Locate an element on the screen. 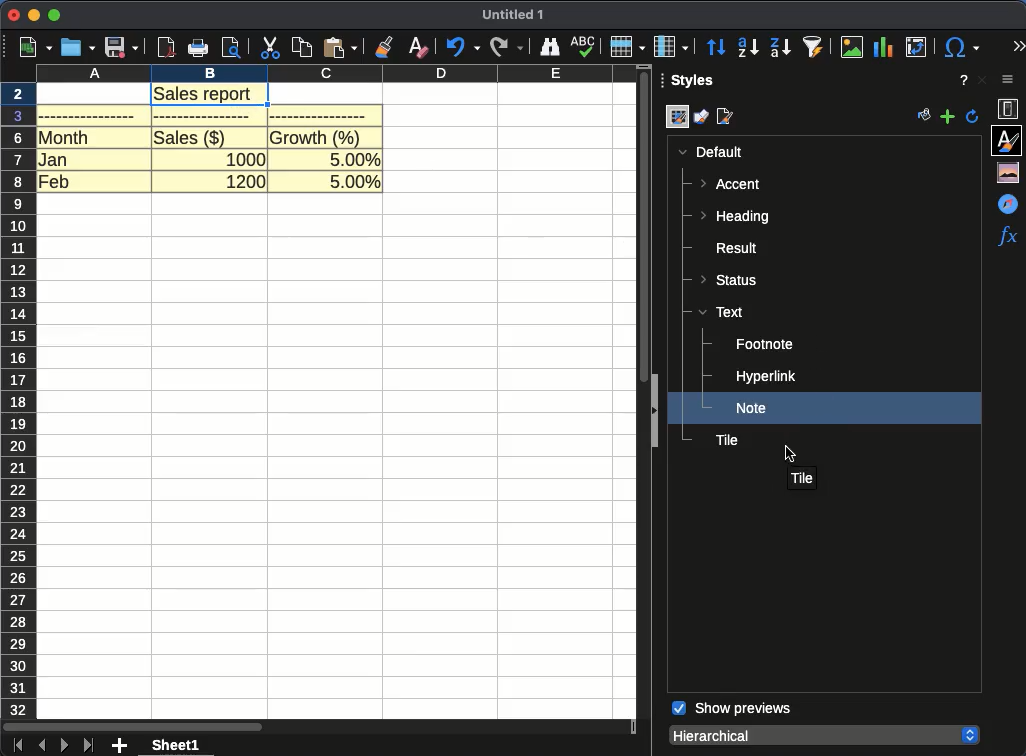 The height and width of the screenshot is (756, 1026). scroll is located at coordinates (644, 225).